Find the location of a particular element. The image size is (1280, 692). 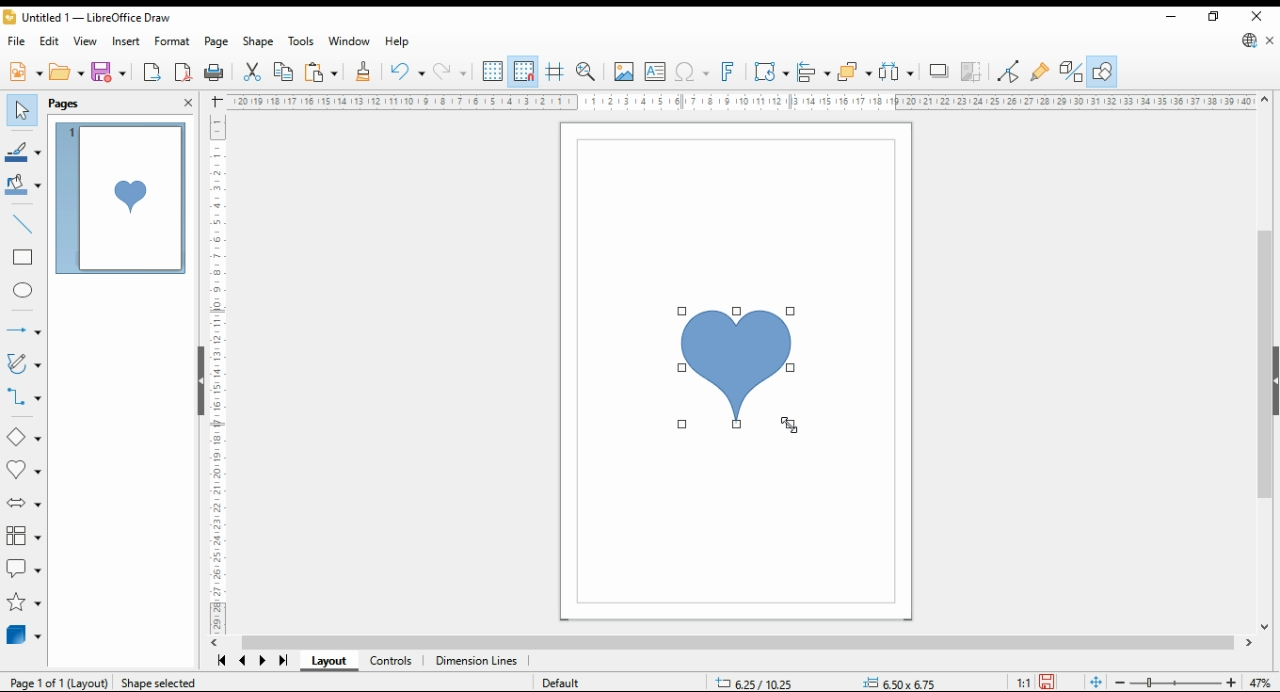

insert is located at coordinates (126, 42).